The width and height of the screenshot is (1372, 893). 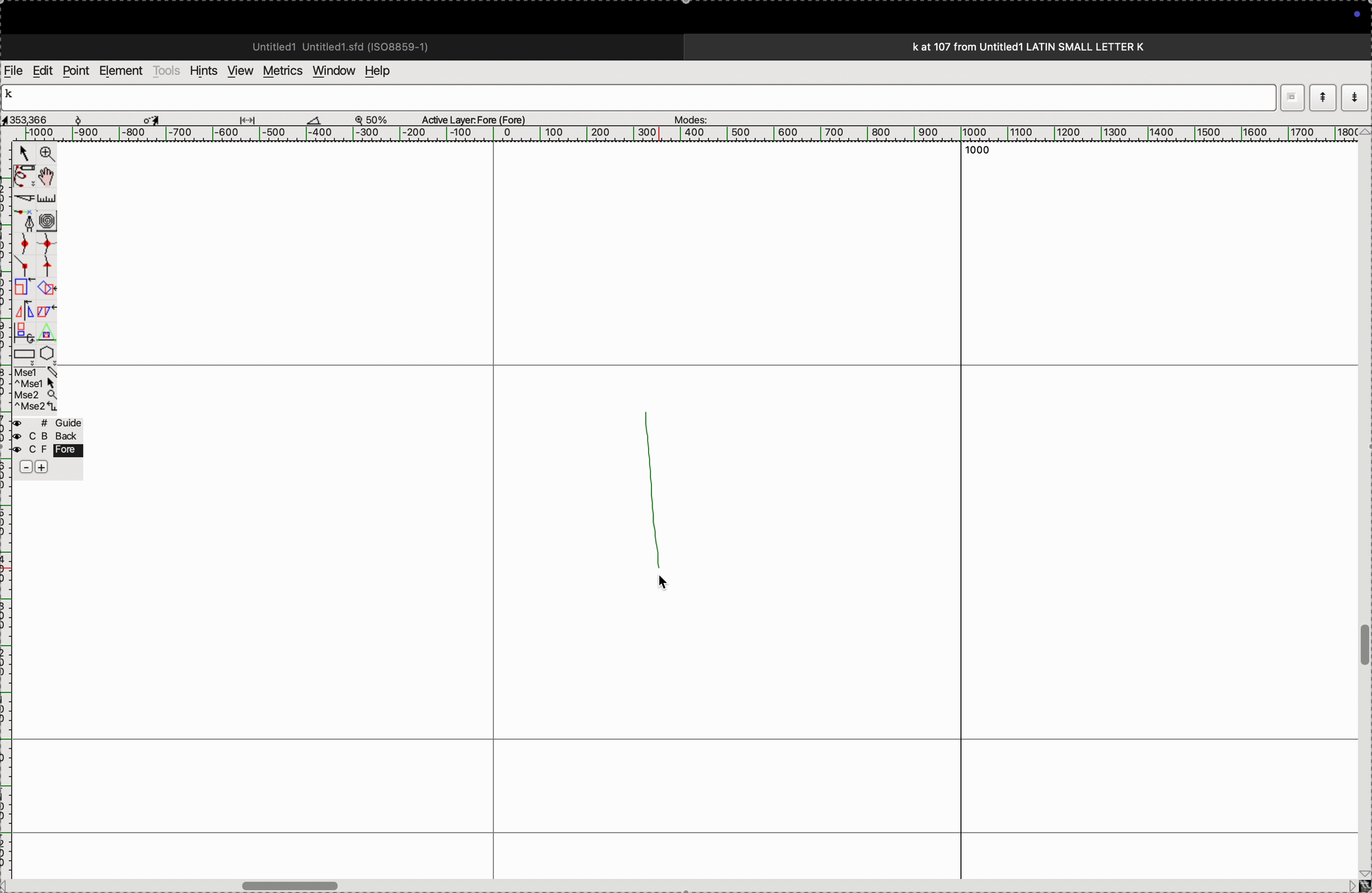 What do you see at coordinates (167, 70) in the screenshot?
I see `tools` at bounding box center [167, 70].